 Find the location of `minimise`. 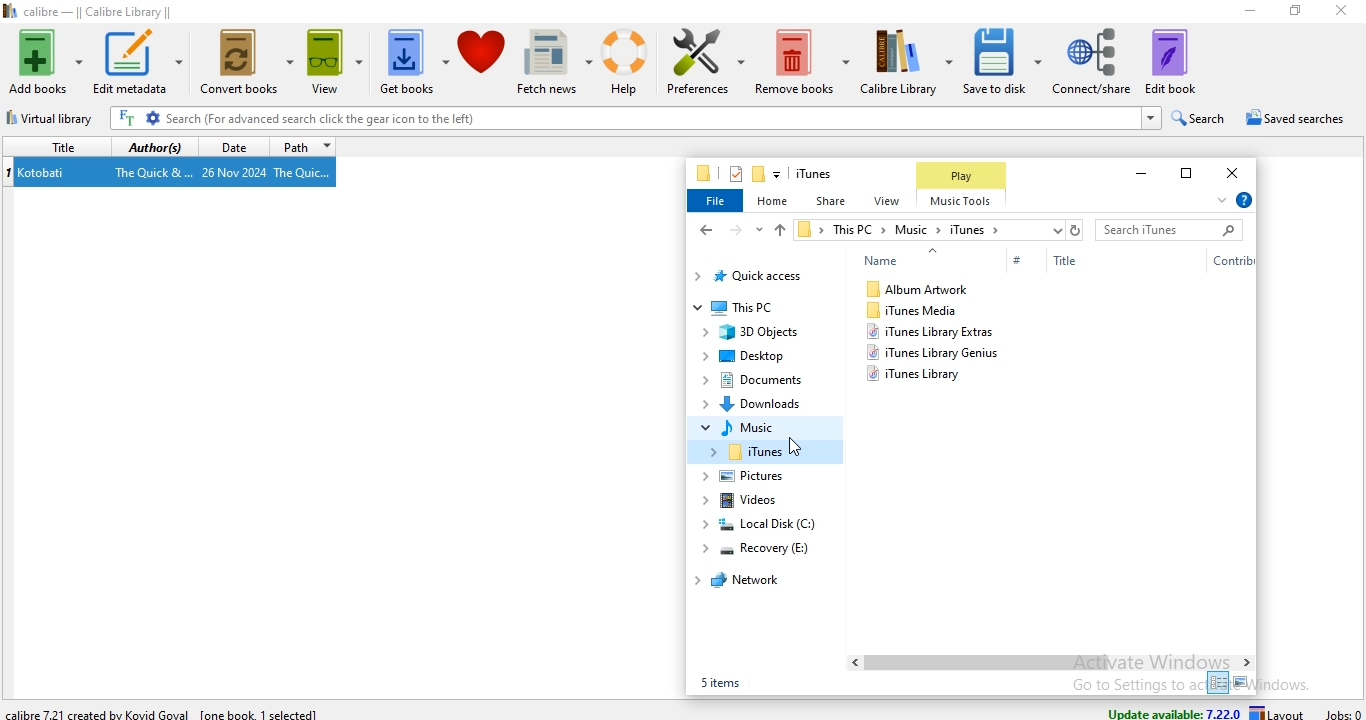

minimise is located at coordinates (1135, 175).